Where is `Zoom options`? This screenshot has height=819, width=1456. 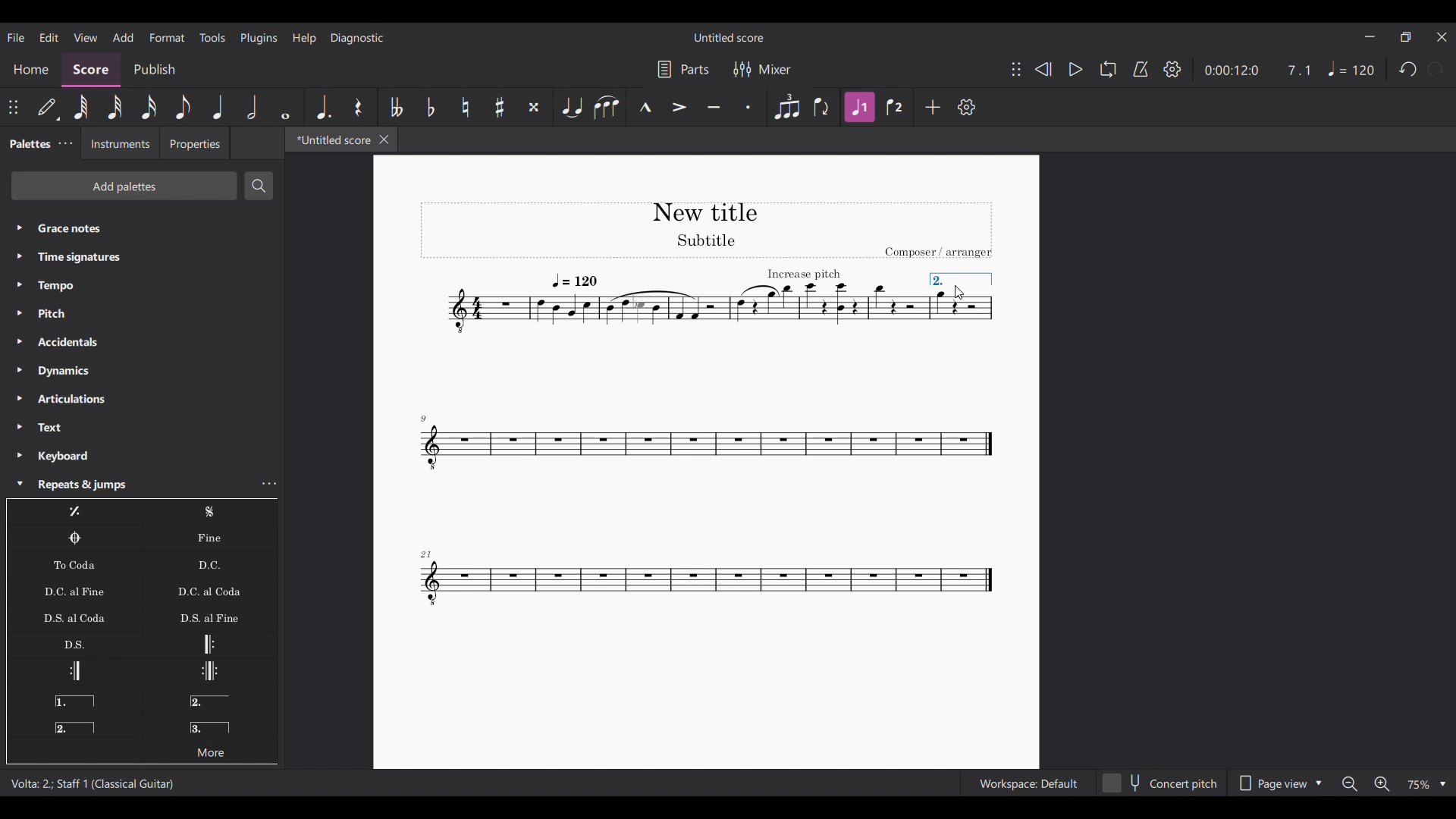 Zoom options is located at coordinates (1425, 785).